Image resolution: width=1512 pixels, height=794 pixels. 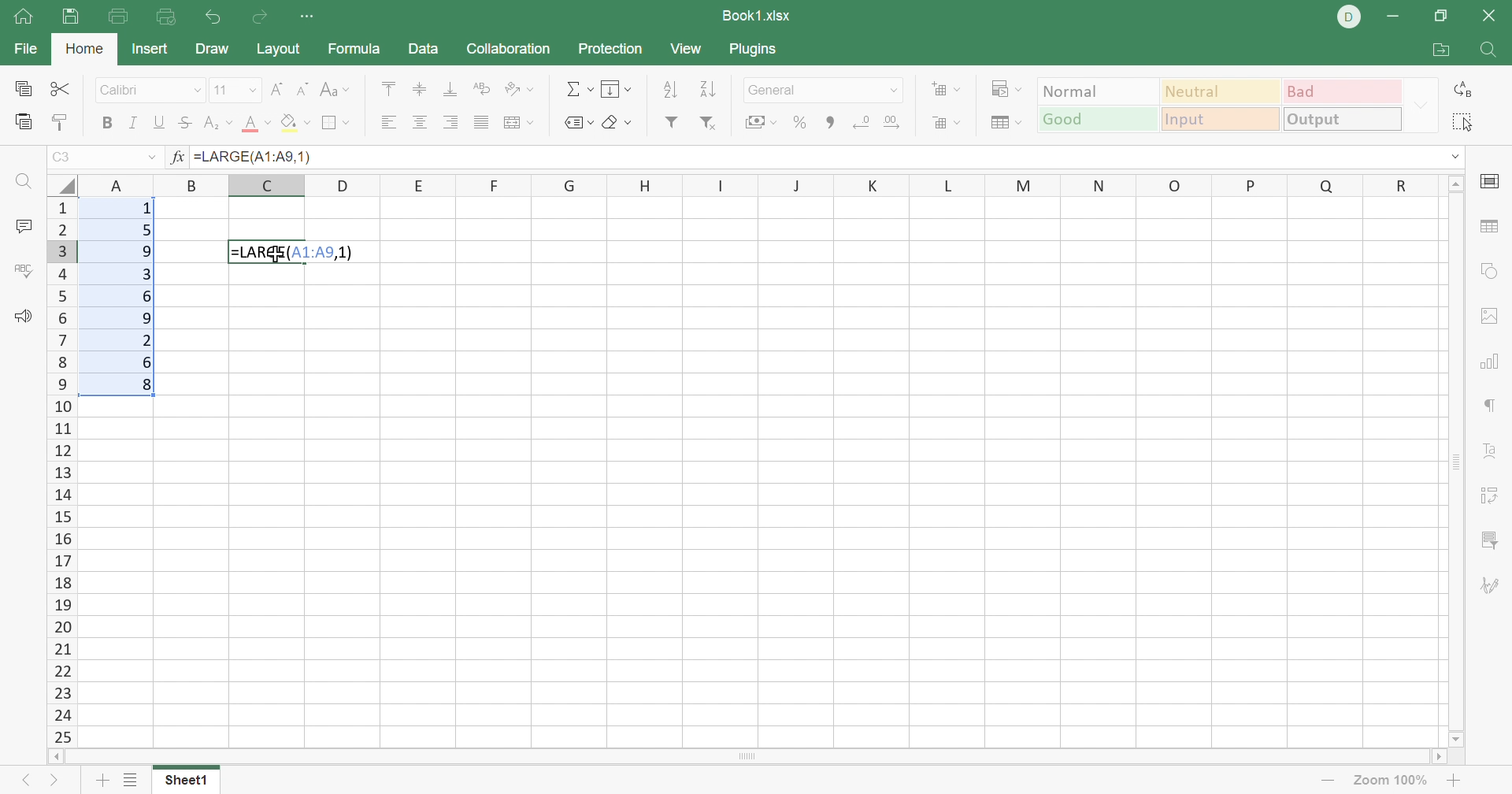 What do you see at coordinates (150, 251) in the screenshot?
I see `9` at bounding box center [150, 251].